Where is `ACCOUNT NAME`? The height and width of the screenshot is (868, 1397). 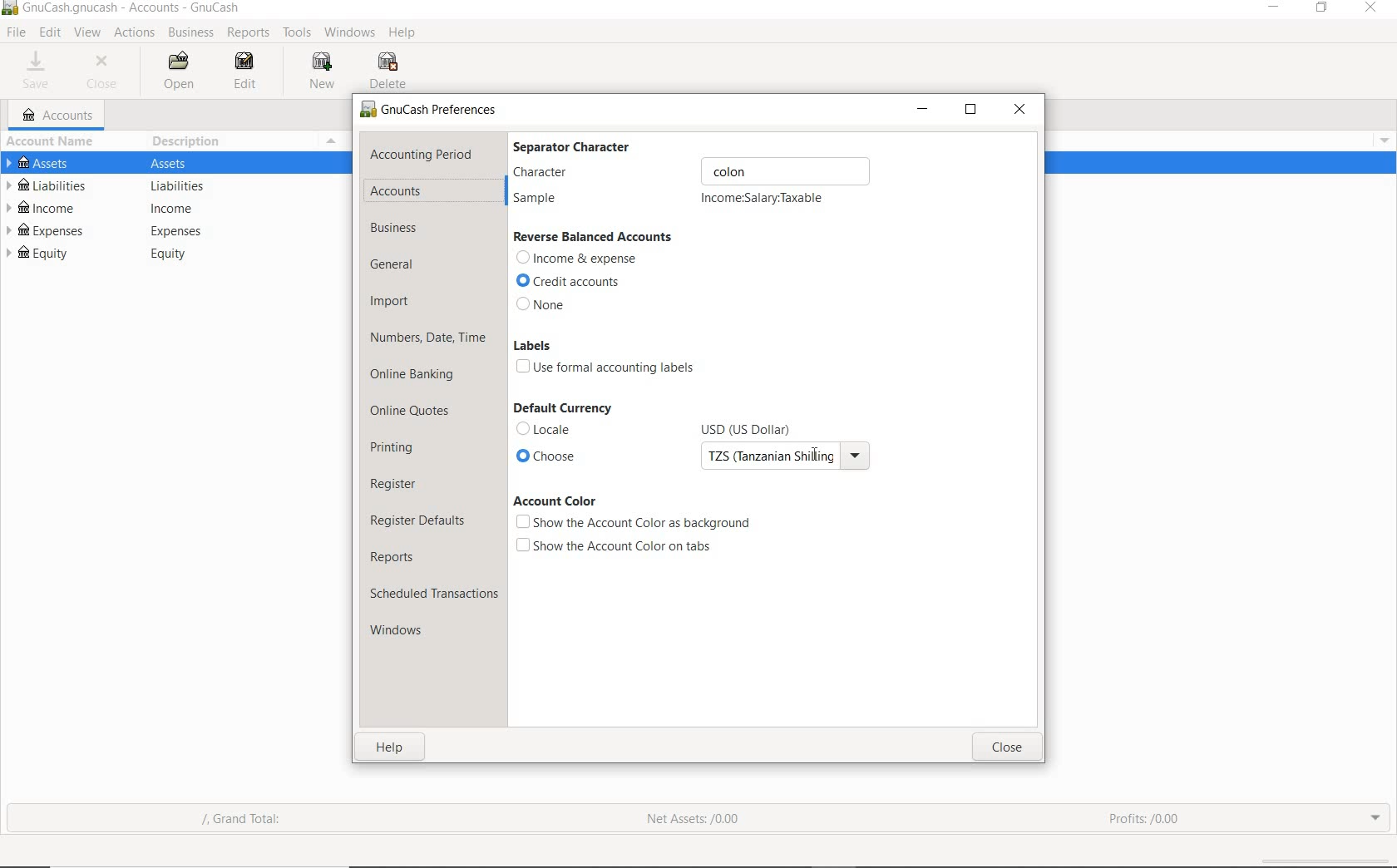 ACCOUNT NAME is located at coordinates (53, 143).